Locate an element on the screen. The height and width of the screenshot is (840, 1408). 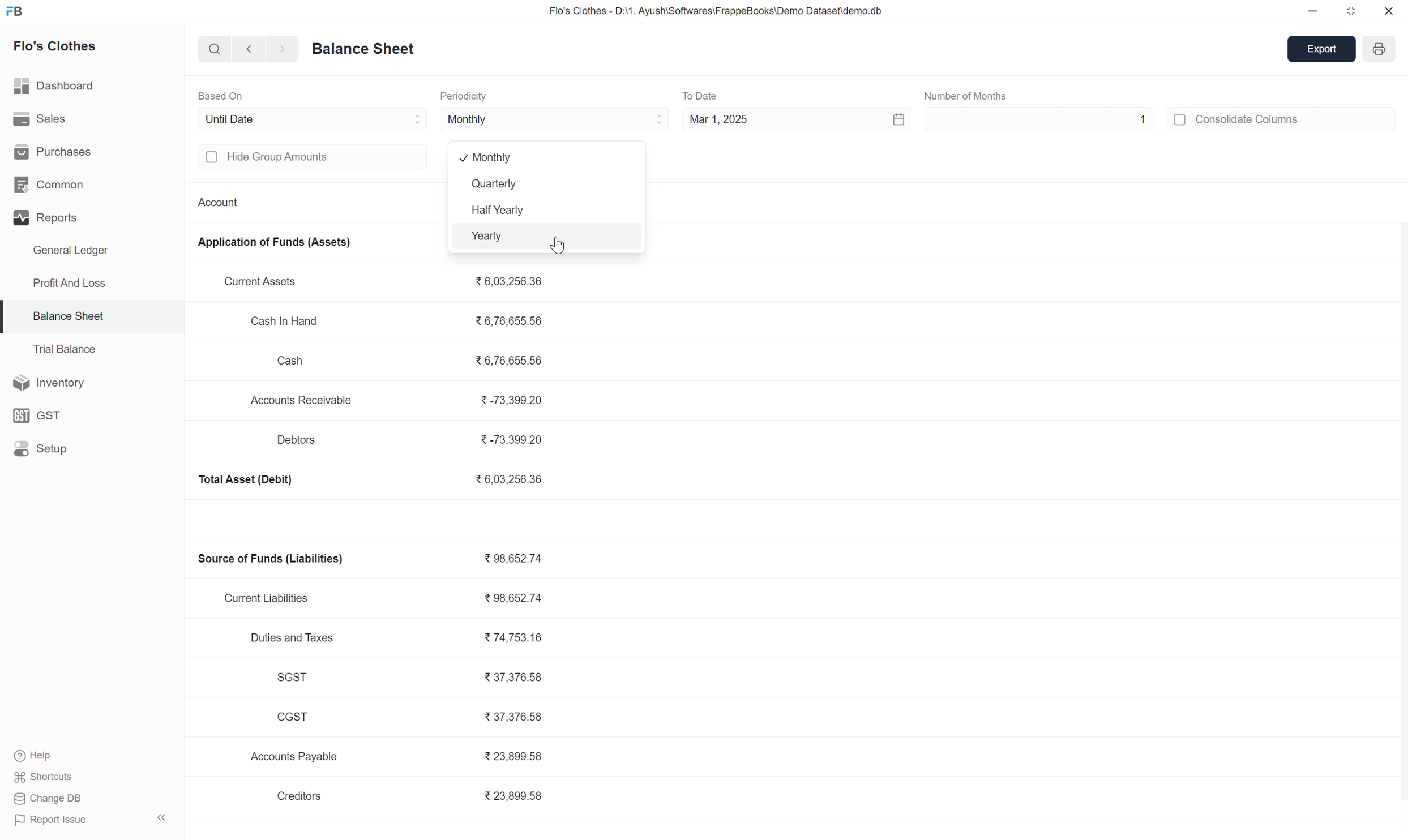
37,376.58 is located at coordinates (513, 718).